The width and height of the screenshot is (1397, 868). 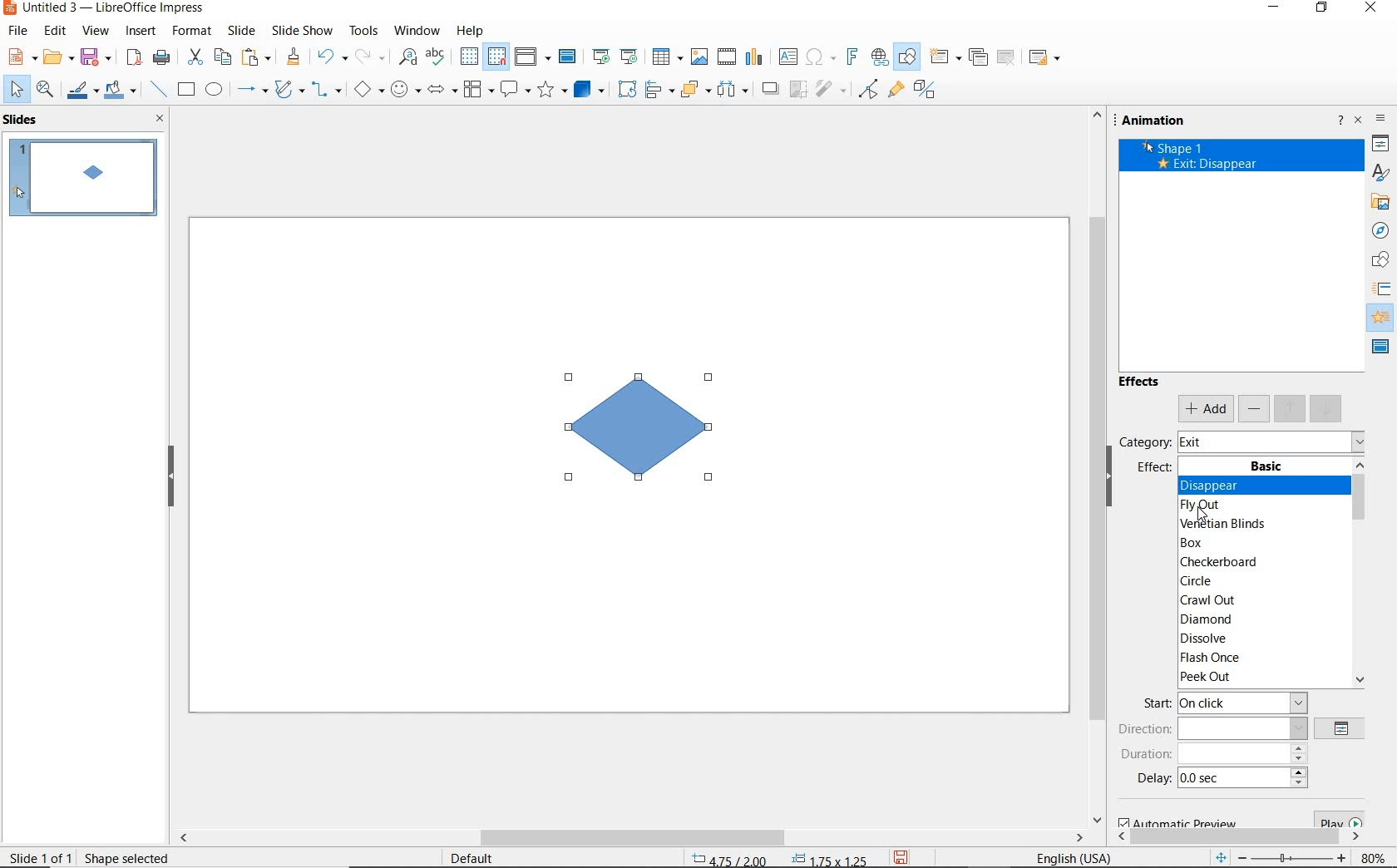 What do you see at coordinates (214, 89) in the screenshot?
I see `ellipse` at bounding box center [214, 89].